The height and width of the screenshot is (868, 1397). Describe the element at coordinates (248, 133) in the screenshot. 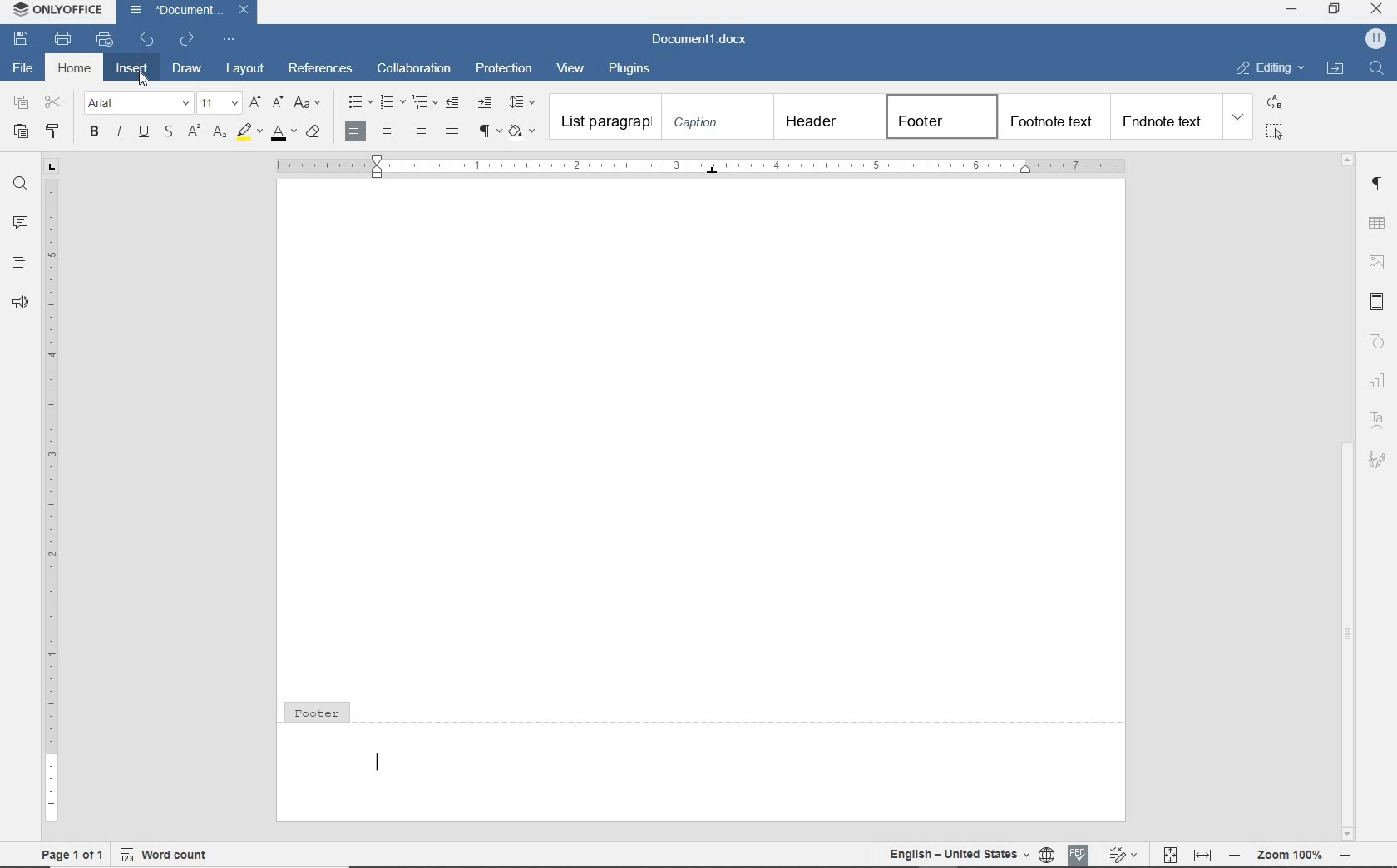

I see `HIGHLIGHT COLOR` at that location.